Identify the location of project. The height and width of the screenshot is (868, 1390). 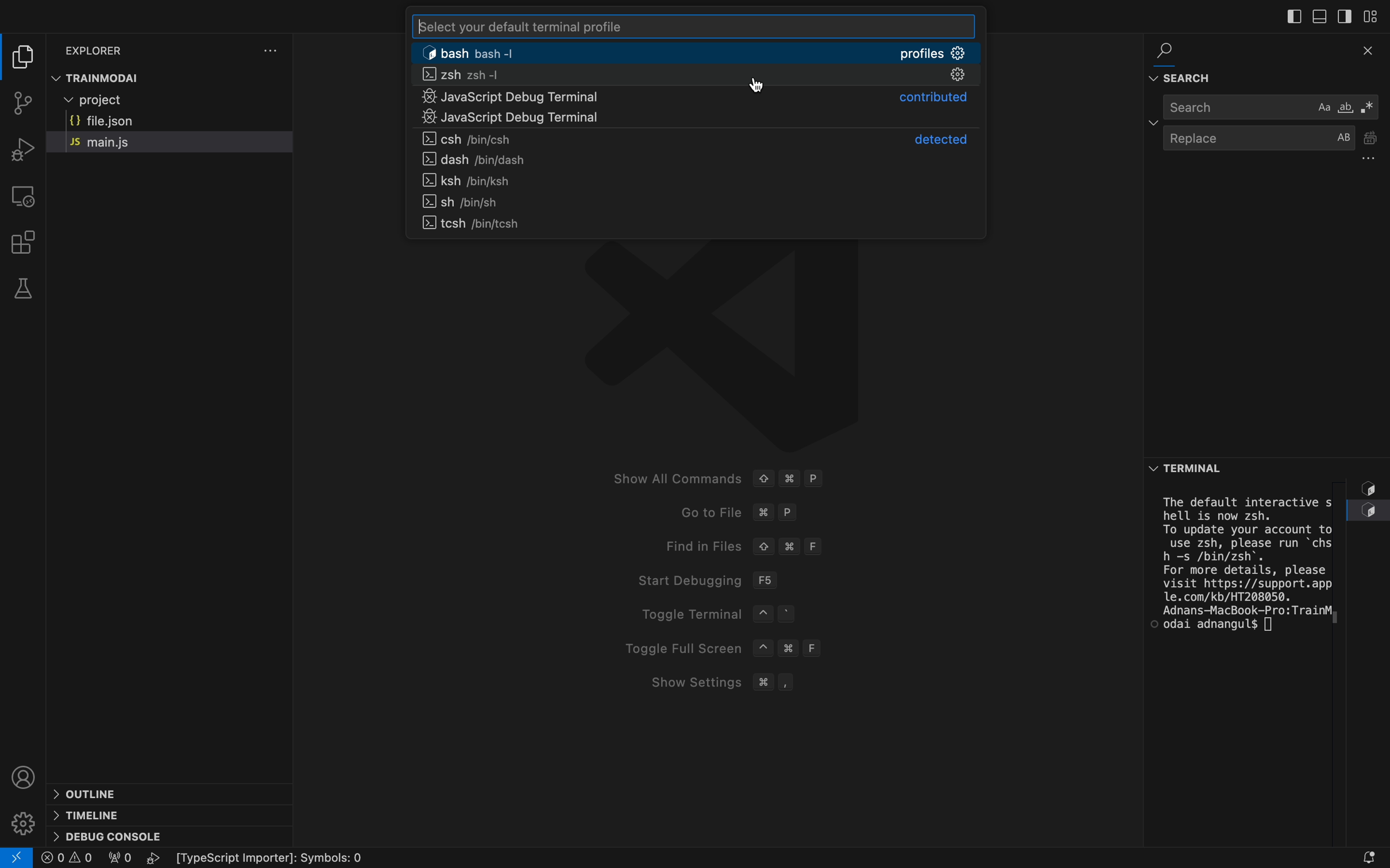
(144, 101).